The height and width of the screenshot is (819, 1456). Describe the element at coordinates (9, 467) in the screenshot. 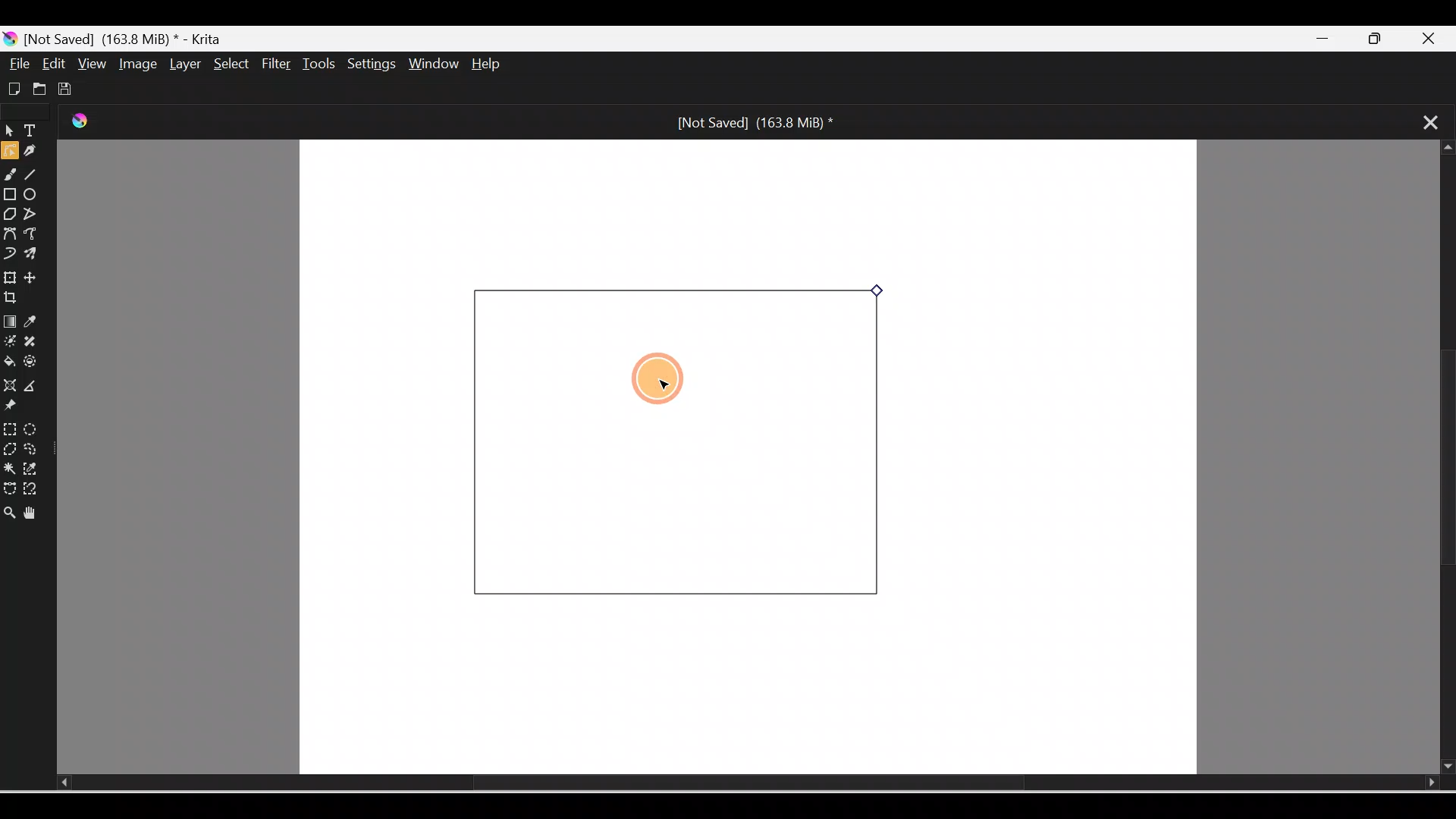

I see `Contiguous selection tool` at that location.